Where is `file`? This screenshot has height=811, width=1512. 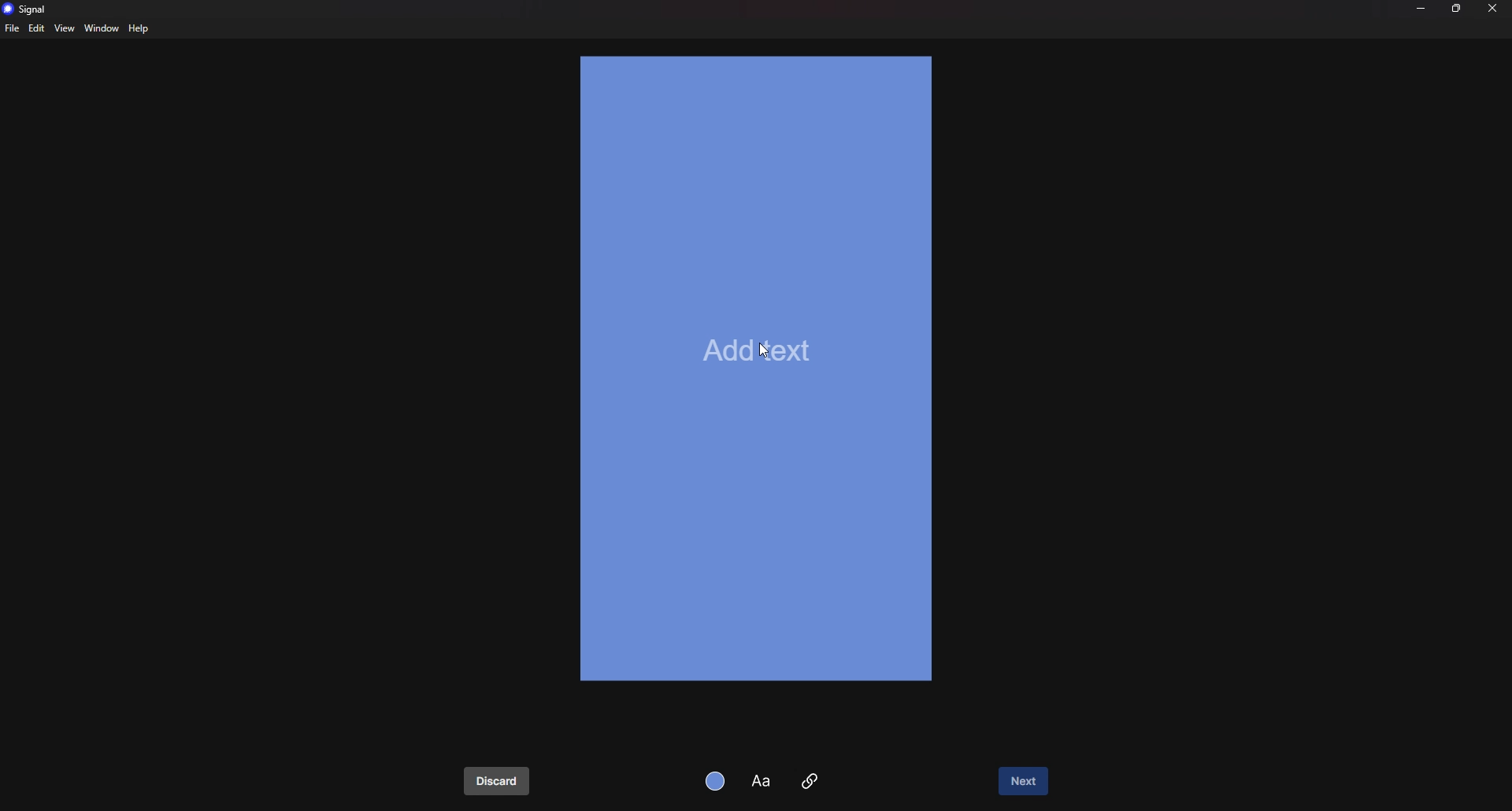 file is located at coordinates (13, 28).